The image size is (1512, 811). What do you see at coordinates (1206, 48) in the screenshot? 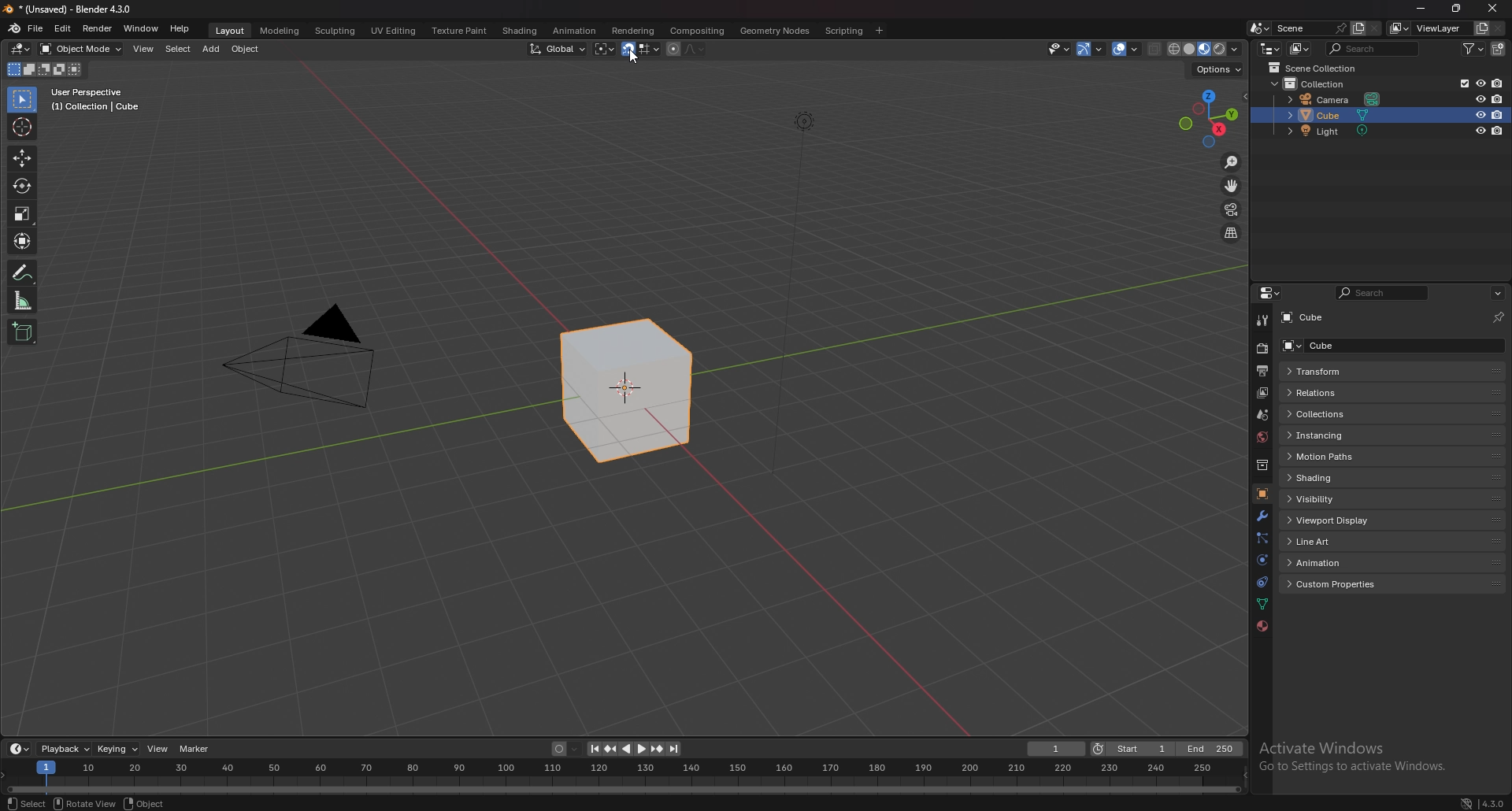
I see `viewport shading` at bounding box center [1206, 48].